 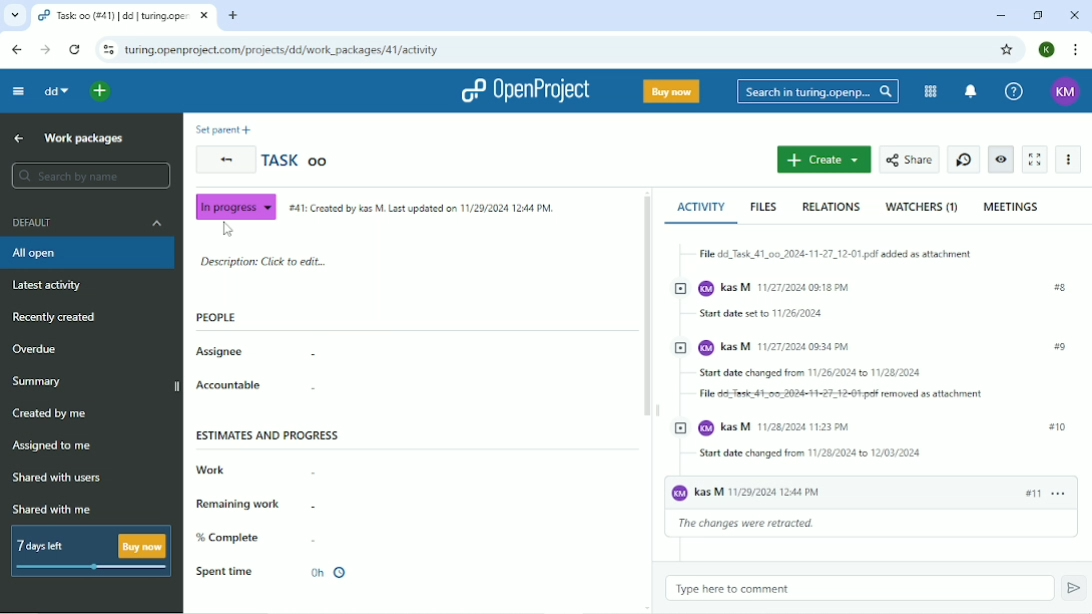 What do you see at coordinates (273, 574) in the screenshot?
I see `Spent time` at bounding box center [273, 574].